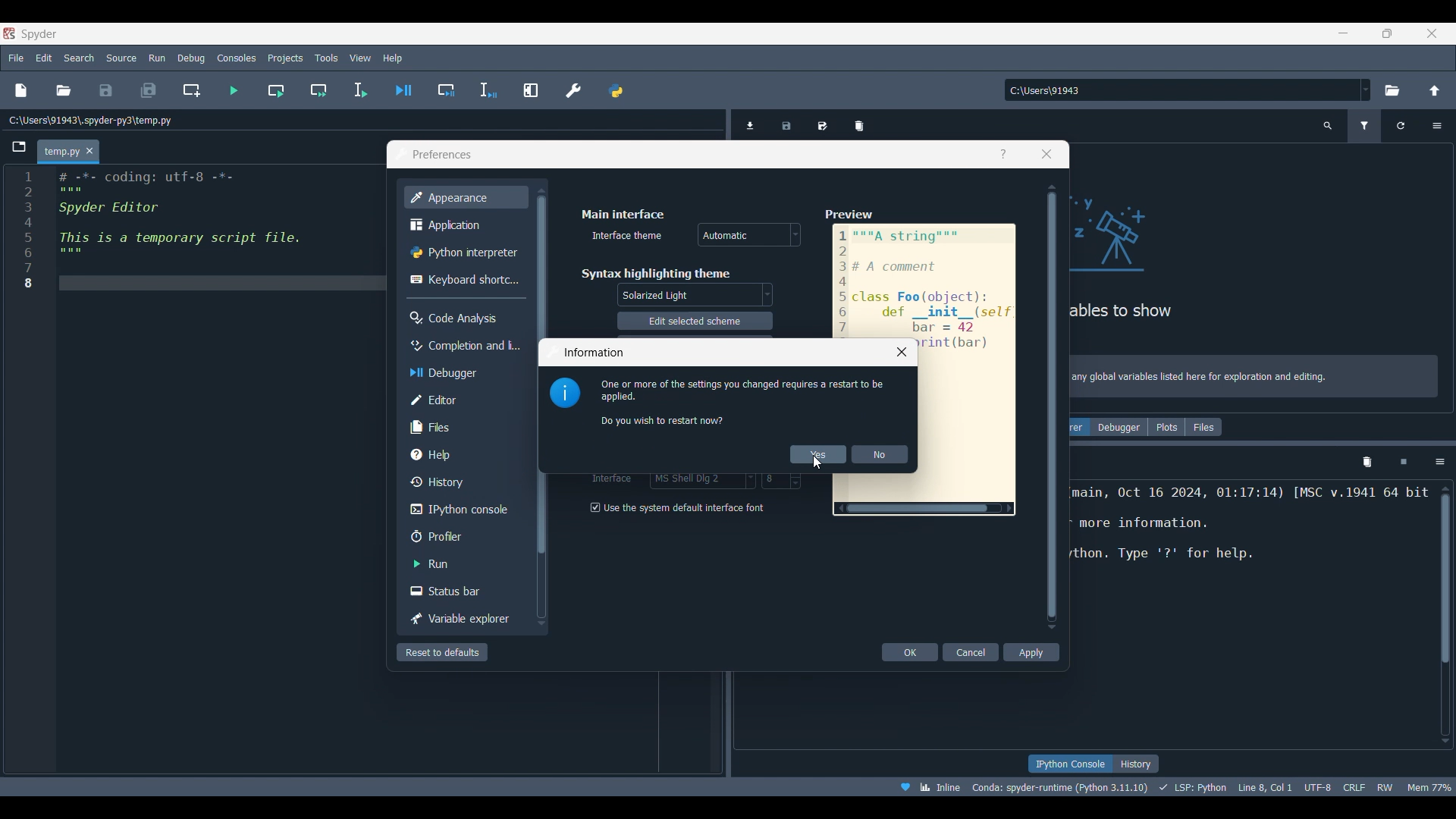 Image resolution: width=1456 pixels, height=819 pixels. What do you see at coordinates (1120, 427) in the screenshot?
I see `Debugger` at bounding box center [1120, 427].